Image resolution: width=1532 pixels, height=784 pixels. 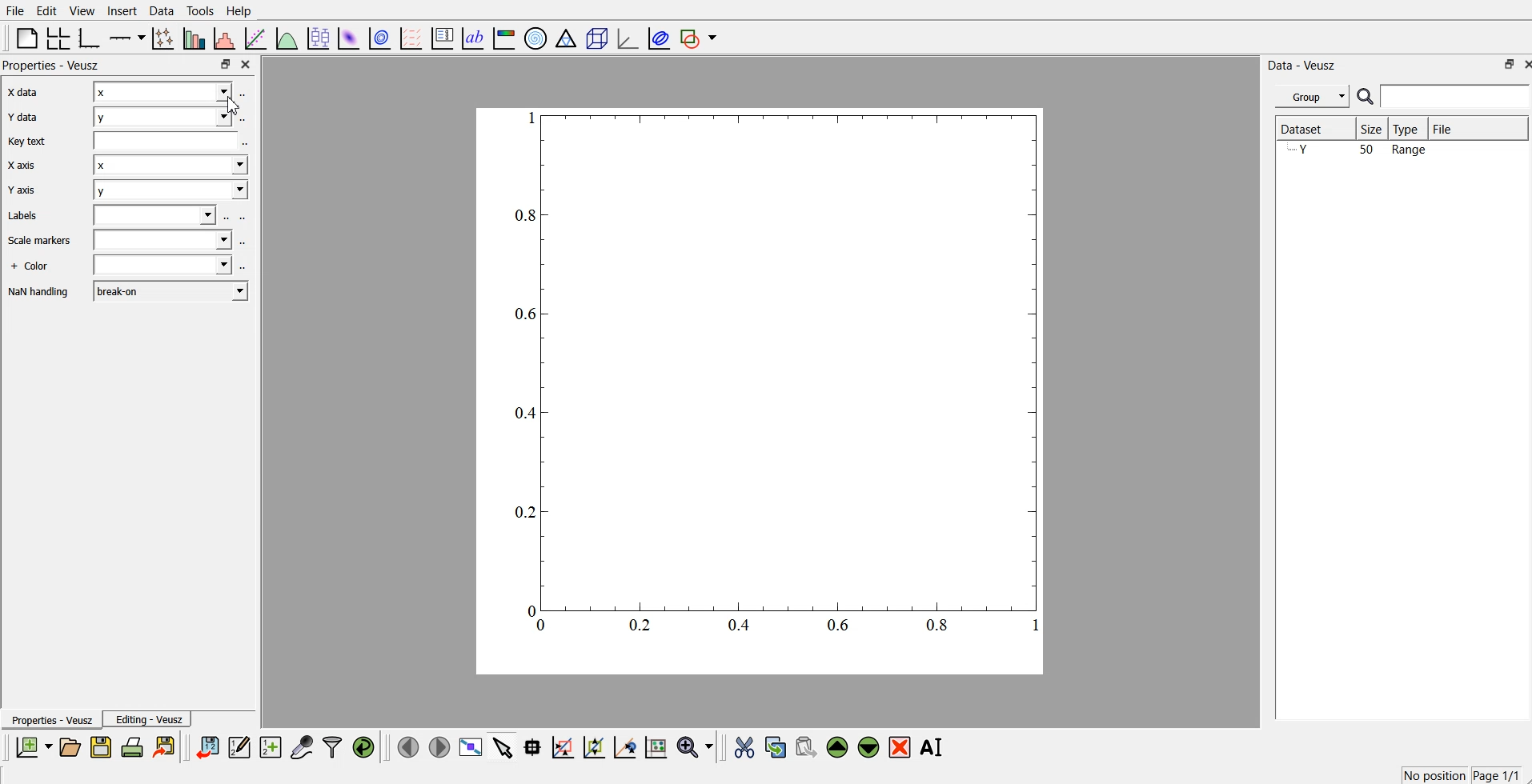 I want to click on plot vector field, so click(x=410, y=36).